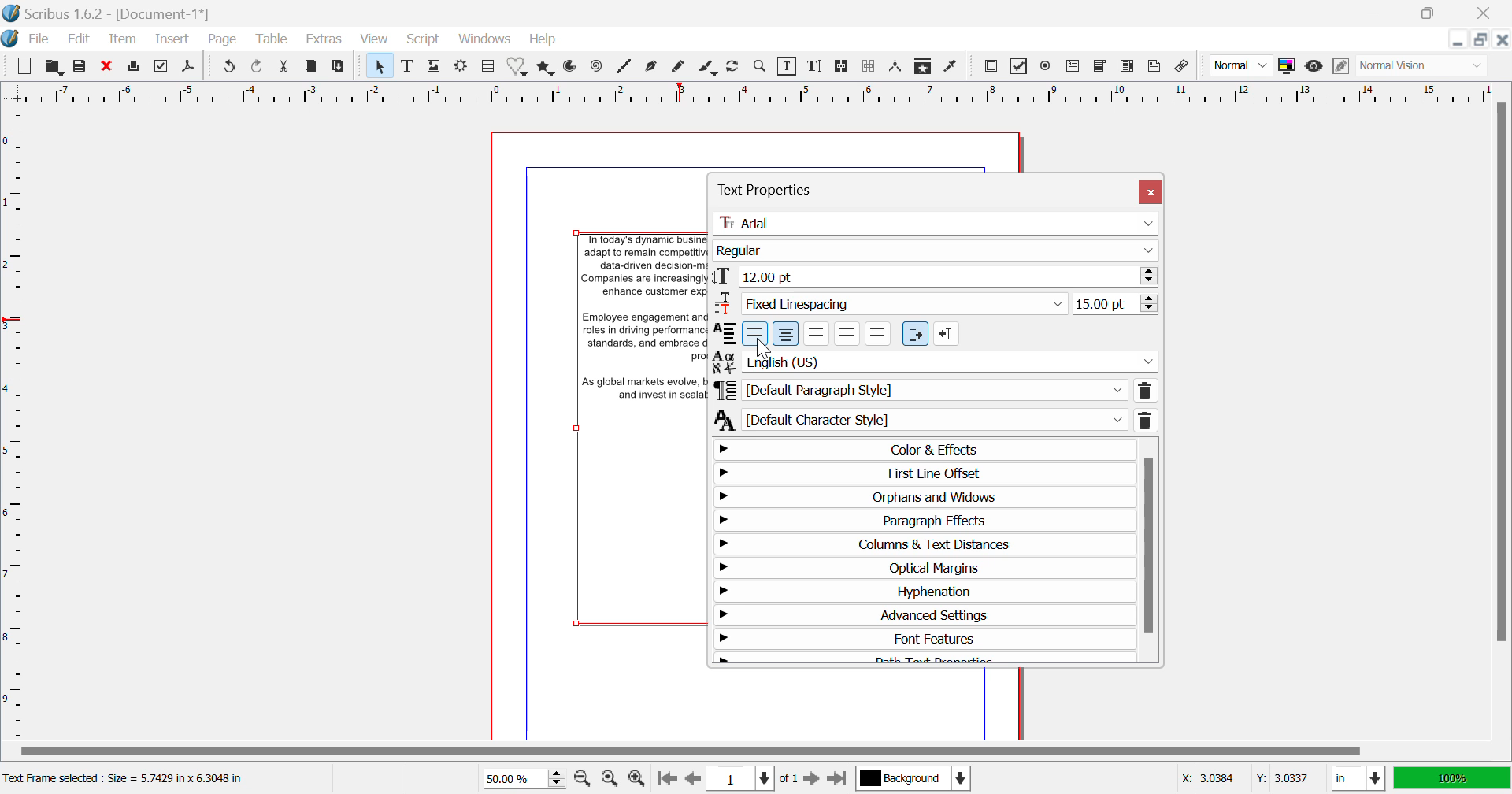 The height and width of the screenshot is (794, 1512). What do you see at coordinates (1503, 41) in the screenshot?
I see `Close` at bounding box center [1503, 41].